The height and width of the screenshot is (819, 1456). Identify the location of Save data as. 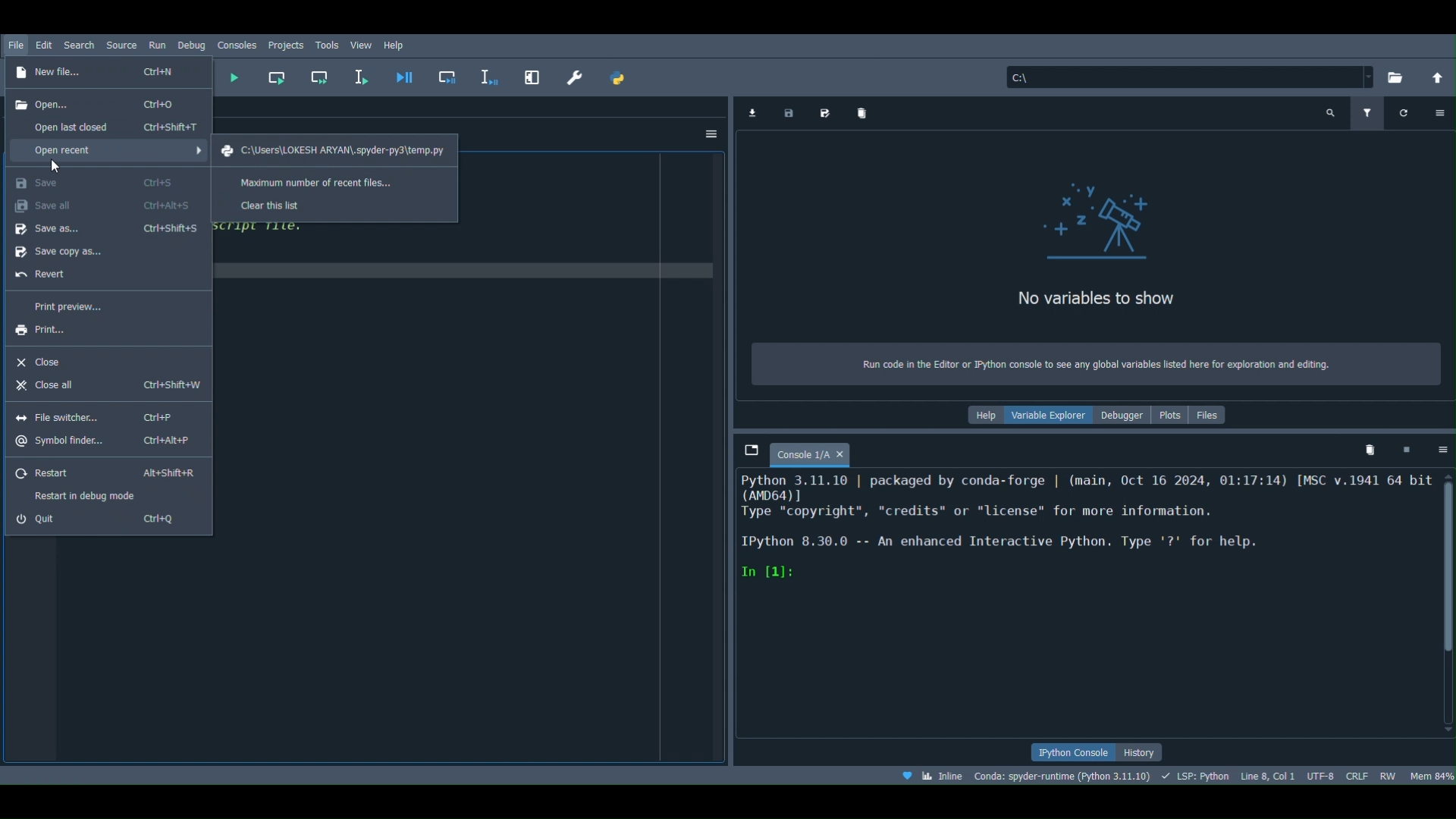
(827, 111).